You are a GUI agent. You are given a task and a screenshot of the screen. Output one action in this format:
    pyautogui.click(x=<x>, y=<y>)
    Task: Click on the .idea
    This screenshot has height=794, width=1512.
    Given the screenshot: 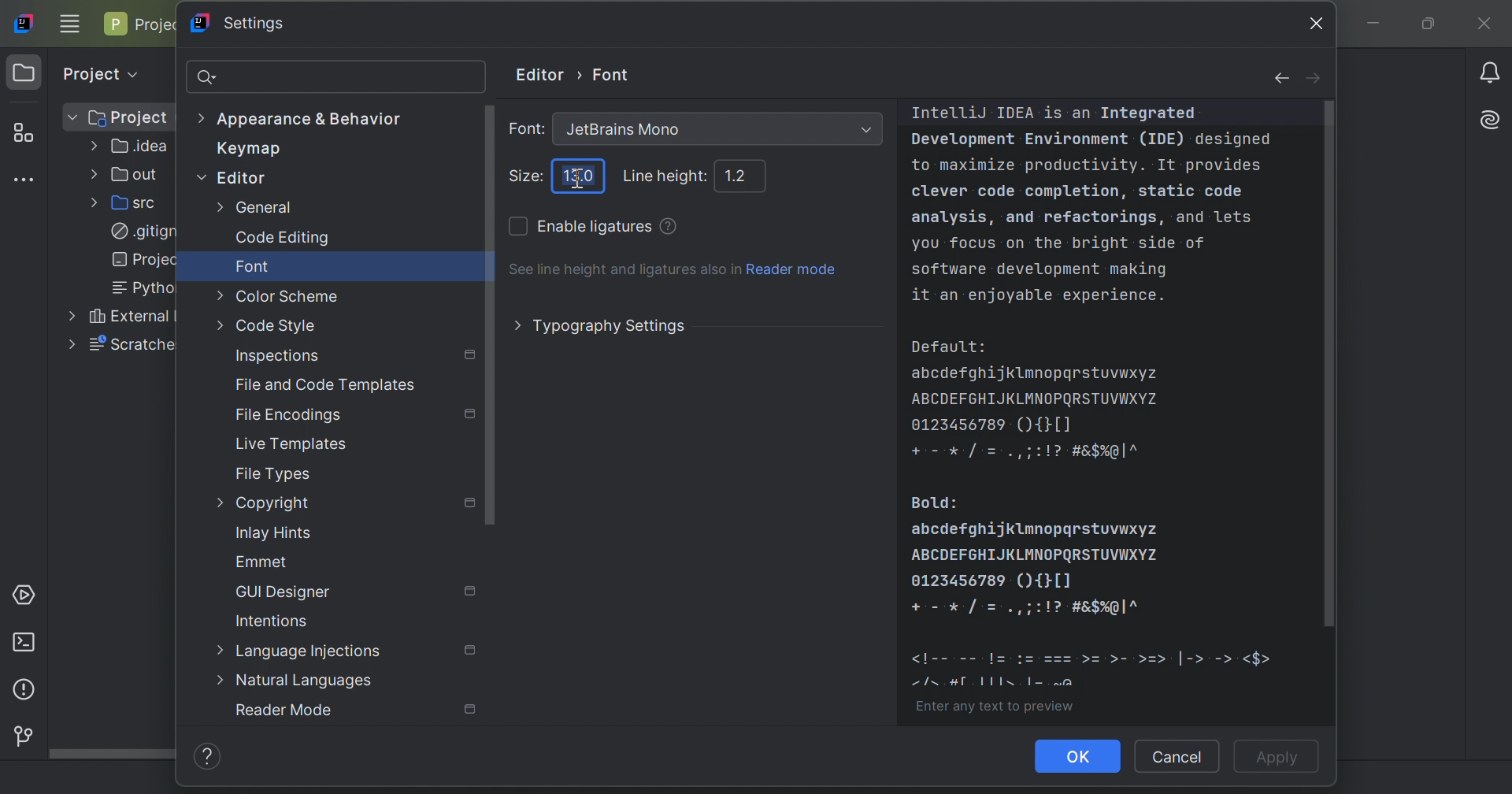 What is the action you would take?
    pyautogui.click(x=132, y=149)
    